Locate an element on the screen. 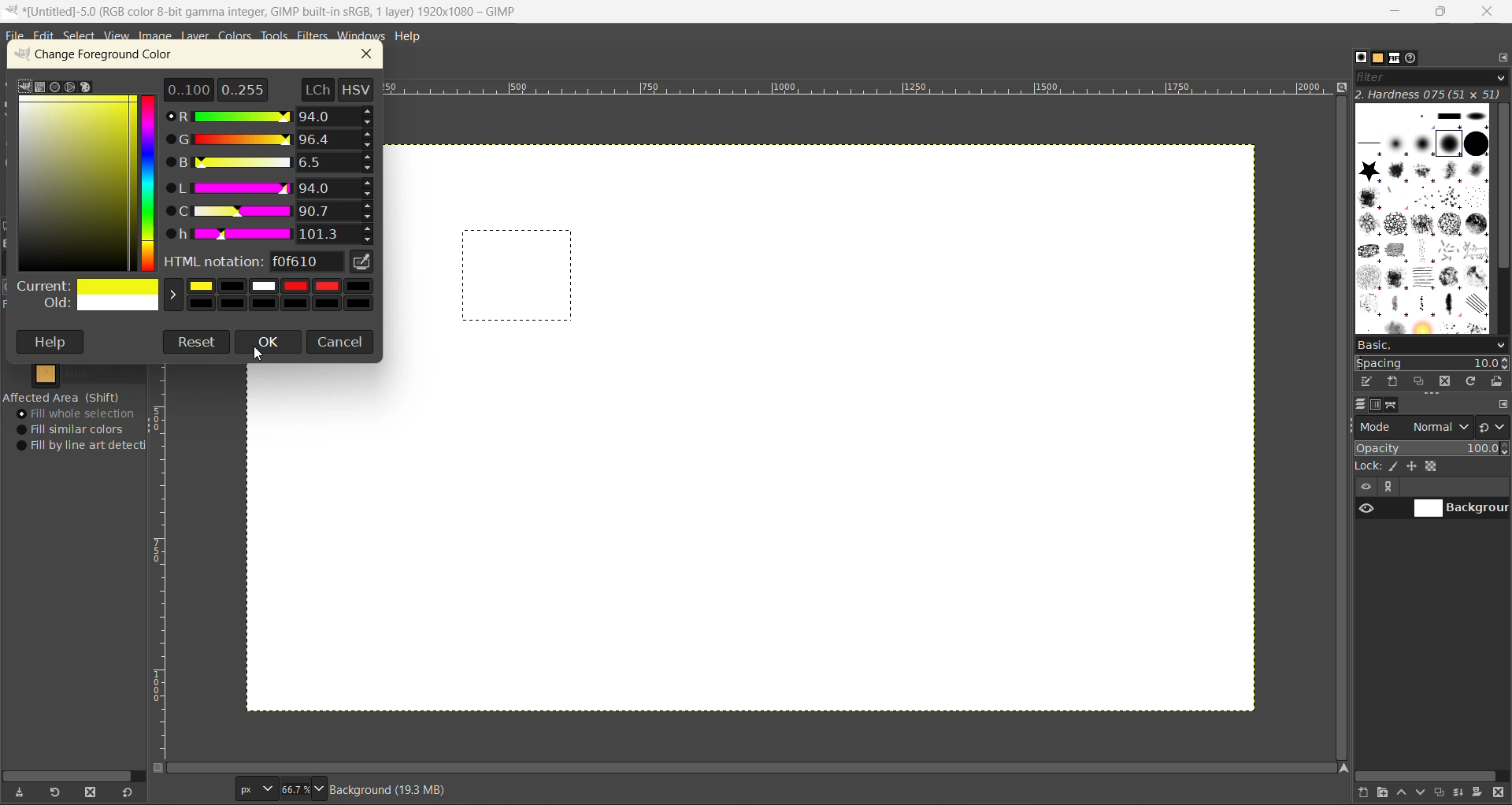  watercolor is located at coordinates (55, 87).